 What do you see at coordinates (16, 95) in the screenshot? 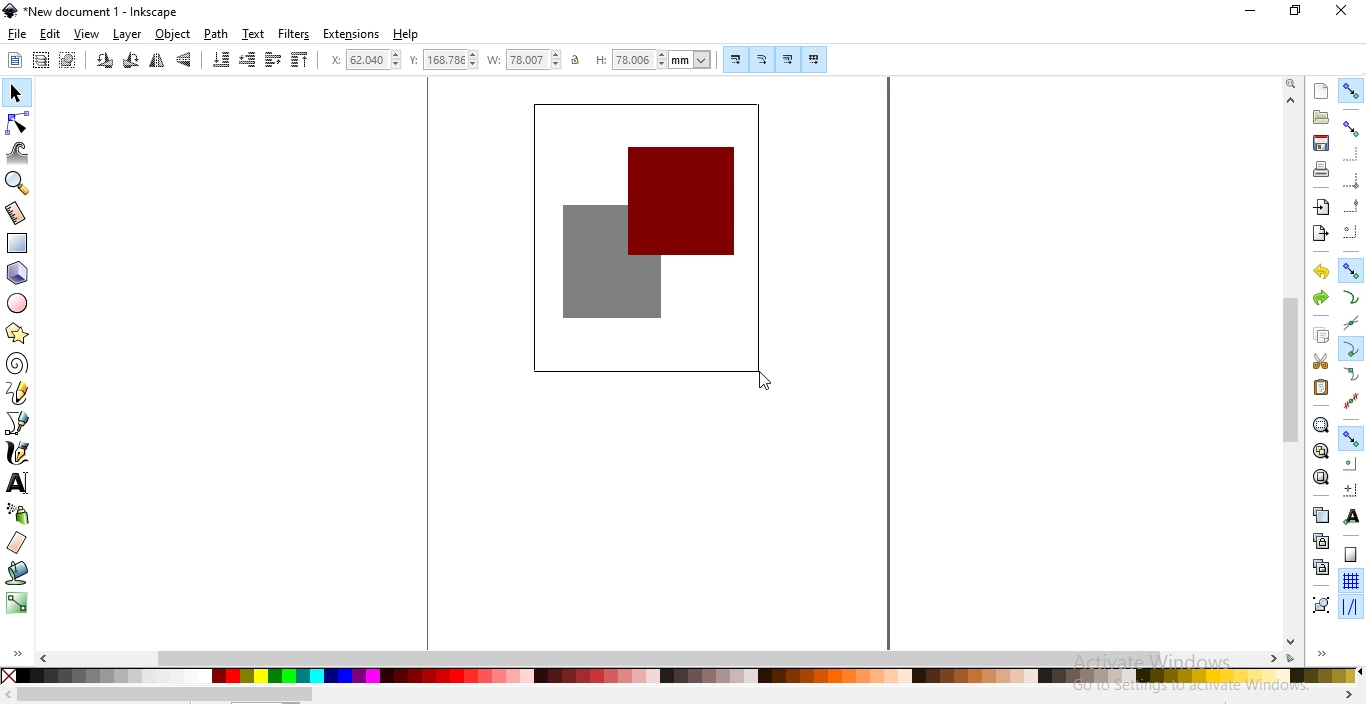
I see `select and transform objects` at bounding box center [16, 95].